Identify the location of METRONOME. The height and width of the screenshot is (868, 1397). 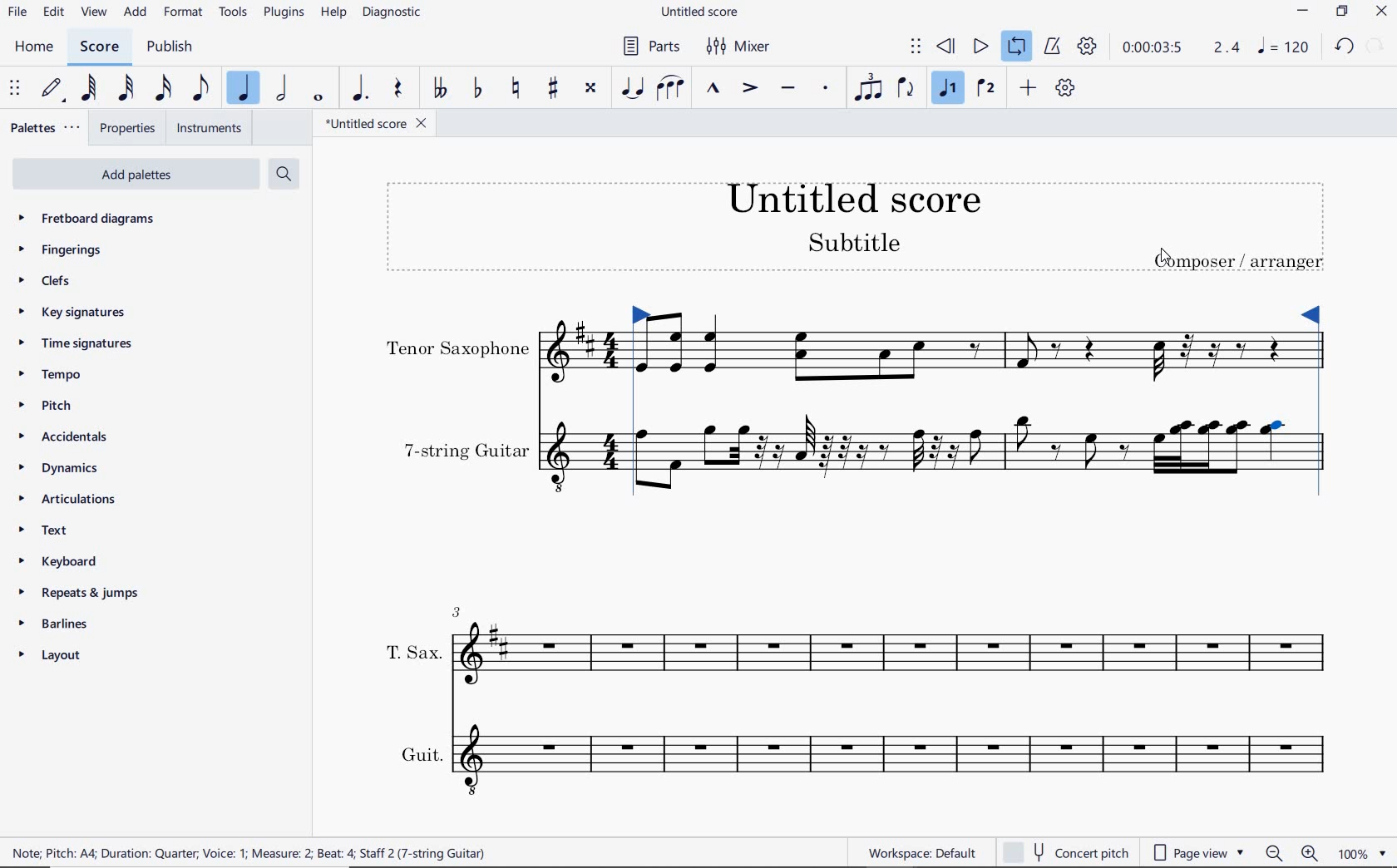
(1052, 45).